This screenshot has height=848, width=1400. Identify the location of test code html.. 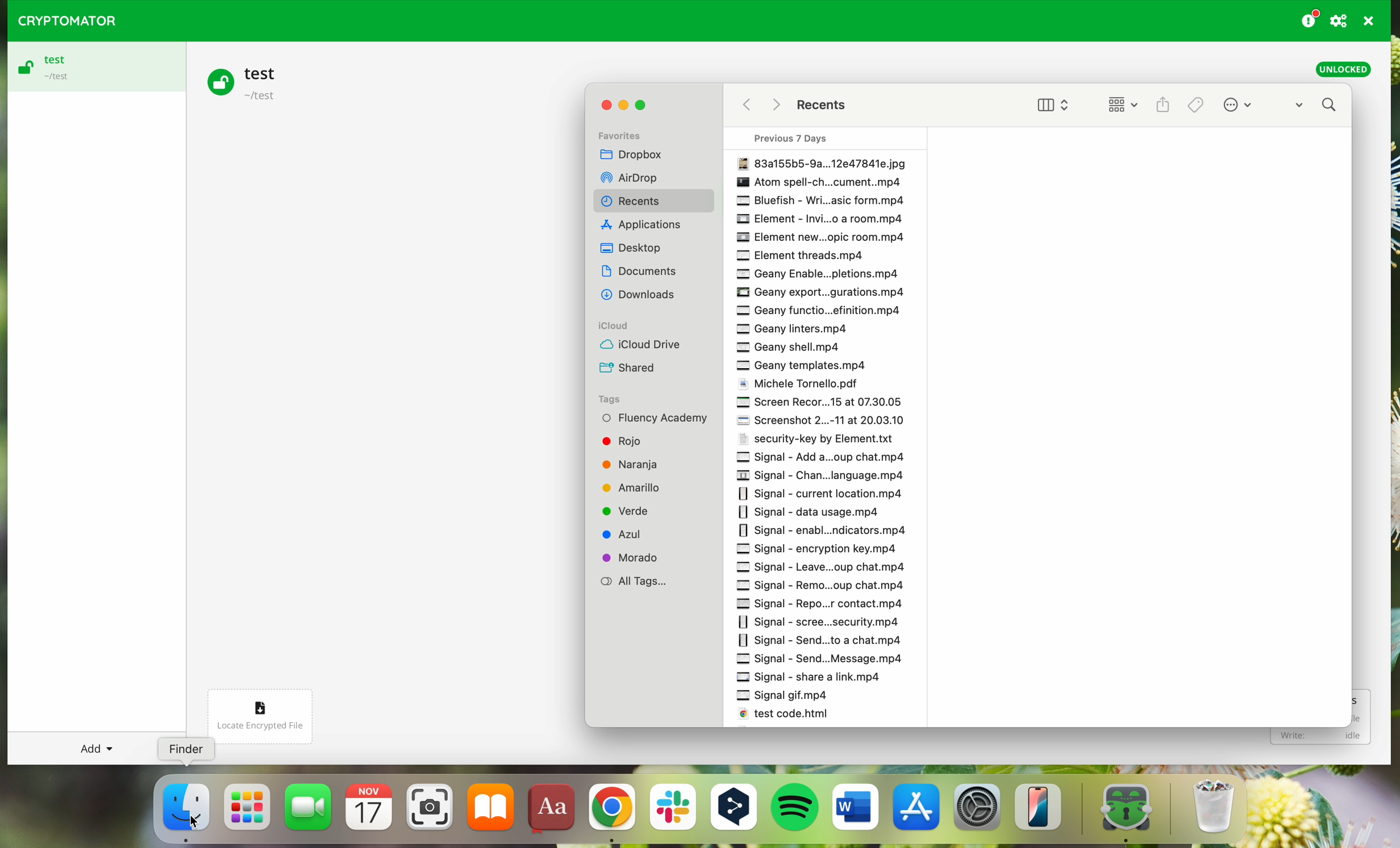
(794, 716).